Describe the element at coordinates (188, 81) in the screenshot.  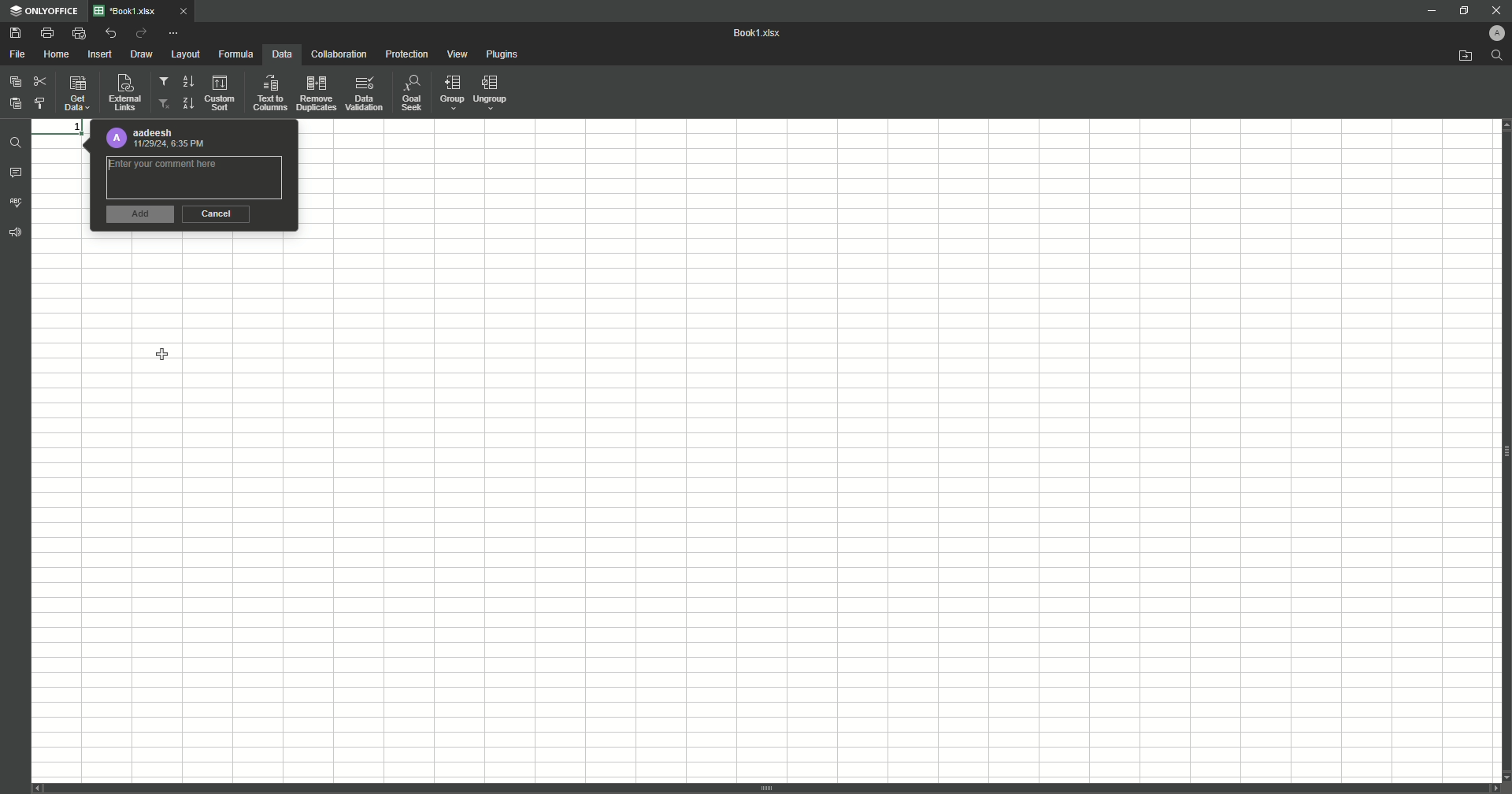
I see `Sort Down` at that location.